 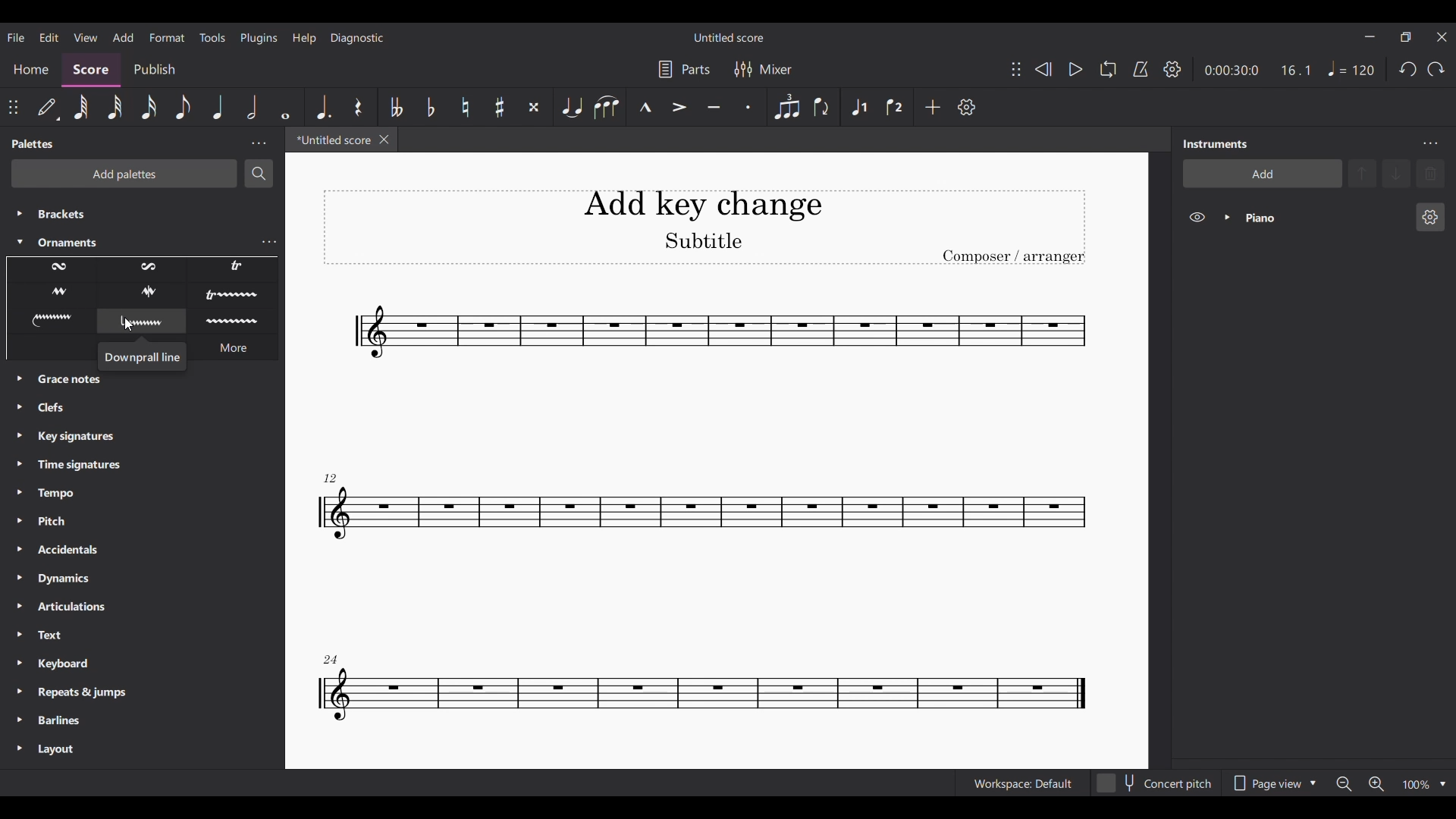 I want to click on Half note, so click(x=253, y=106).